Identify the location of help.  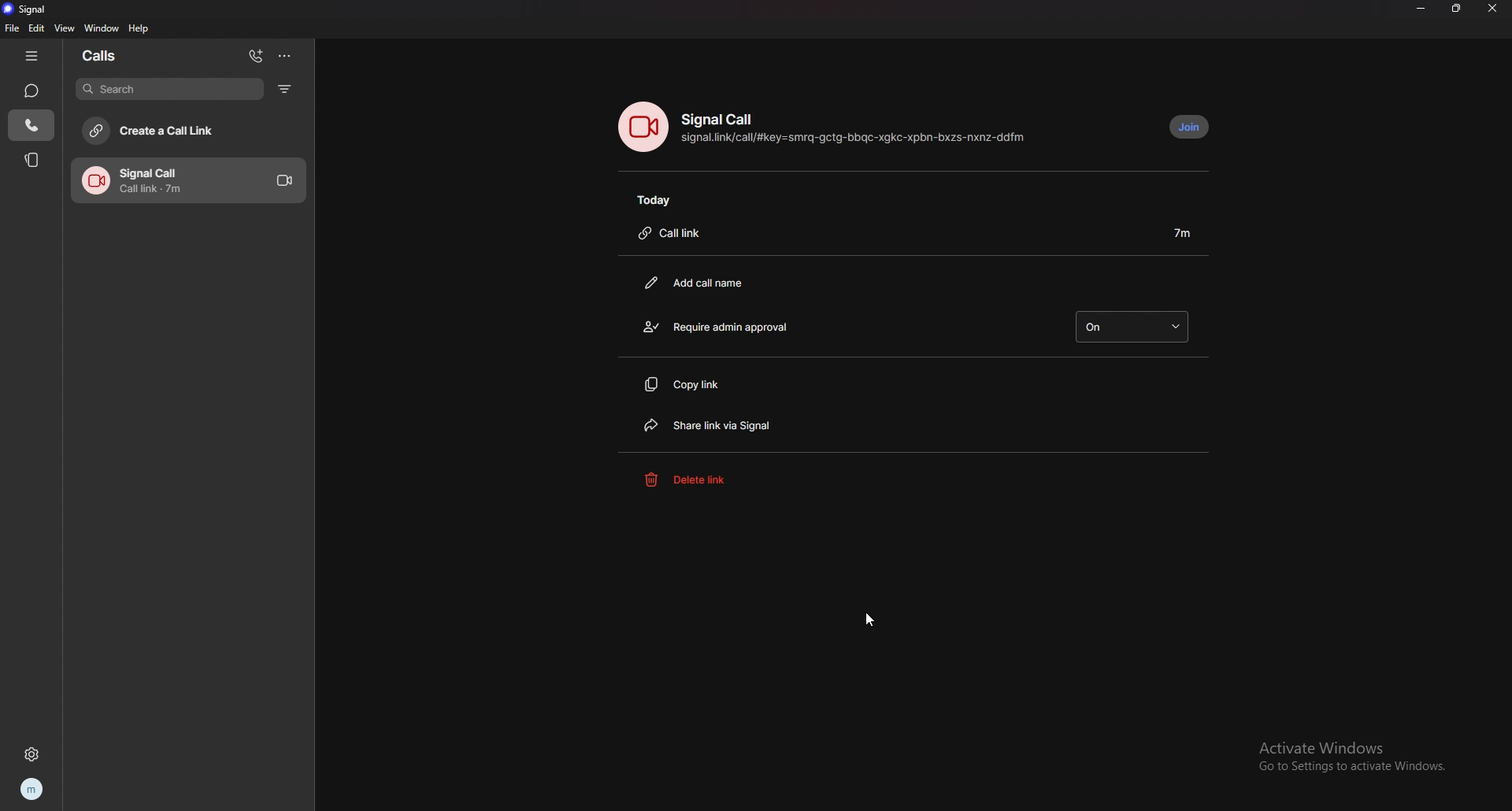
(139, 30).